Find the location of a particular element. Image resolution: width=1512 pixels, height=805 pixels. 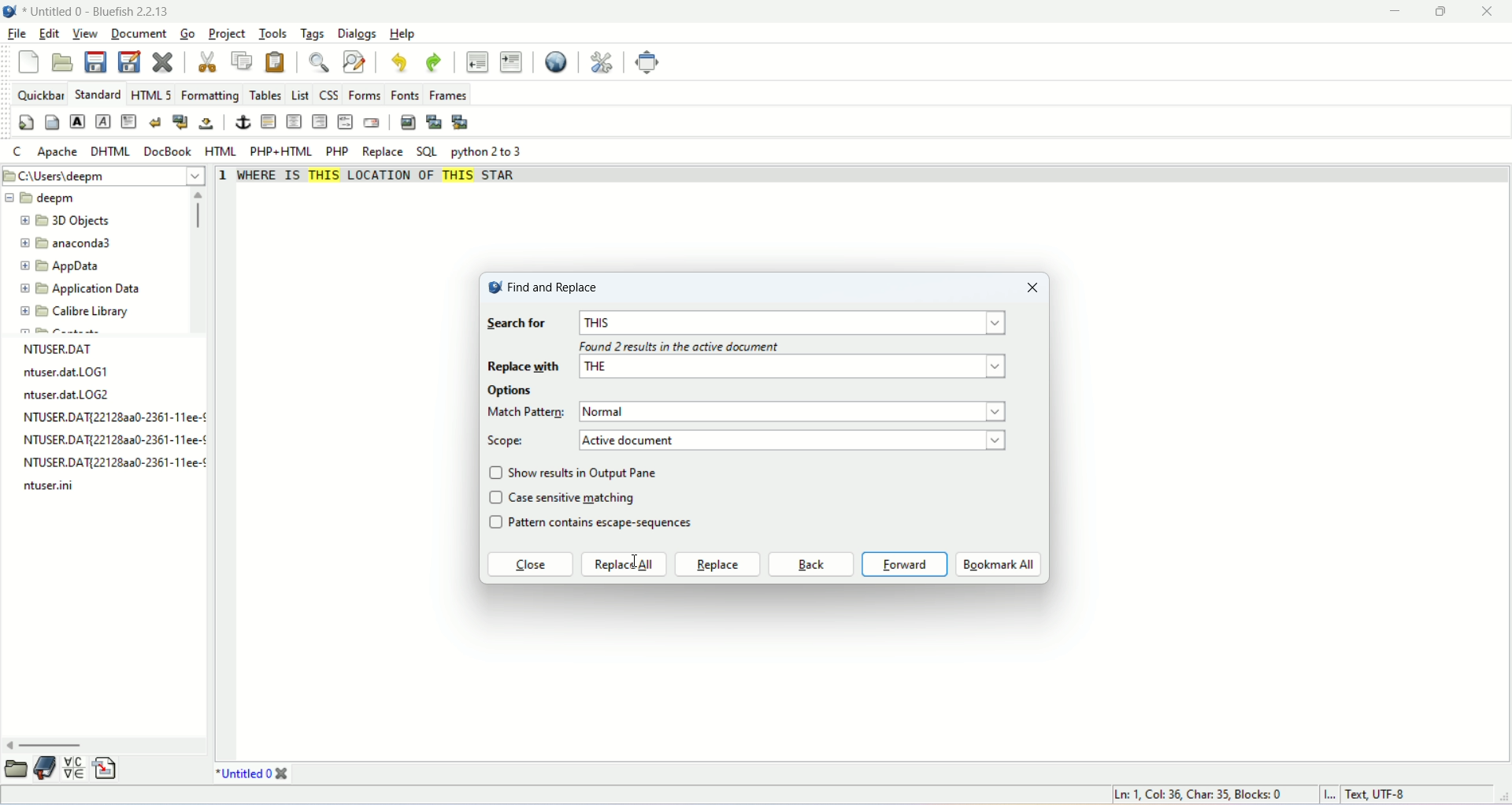

emphasis is located at coordinates (102, 121).